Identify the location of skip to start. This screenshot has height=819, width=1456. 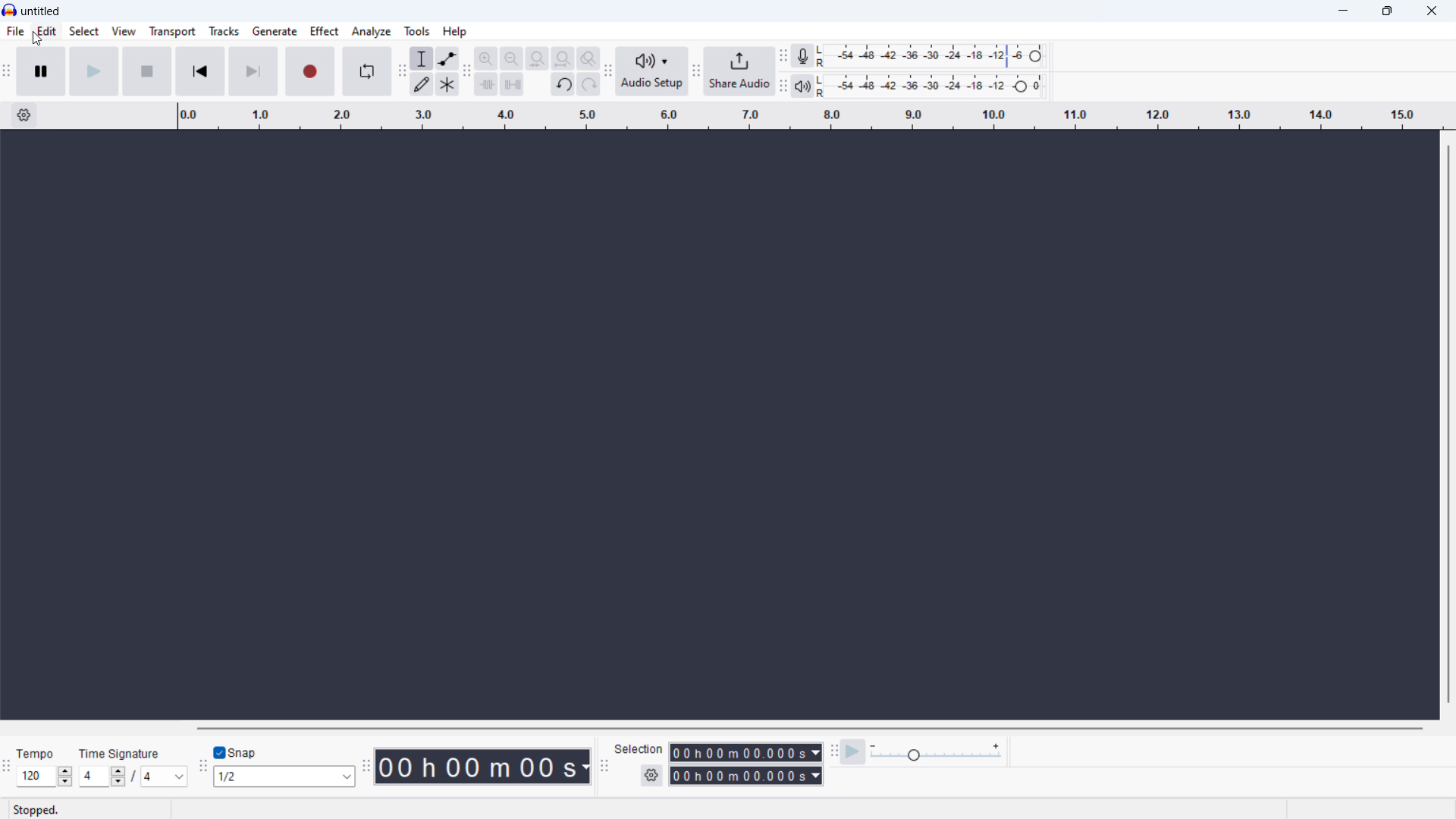
(200, 71).